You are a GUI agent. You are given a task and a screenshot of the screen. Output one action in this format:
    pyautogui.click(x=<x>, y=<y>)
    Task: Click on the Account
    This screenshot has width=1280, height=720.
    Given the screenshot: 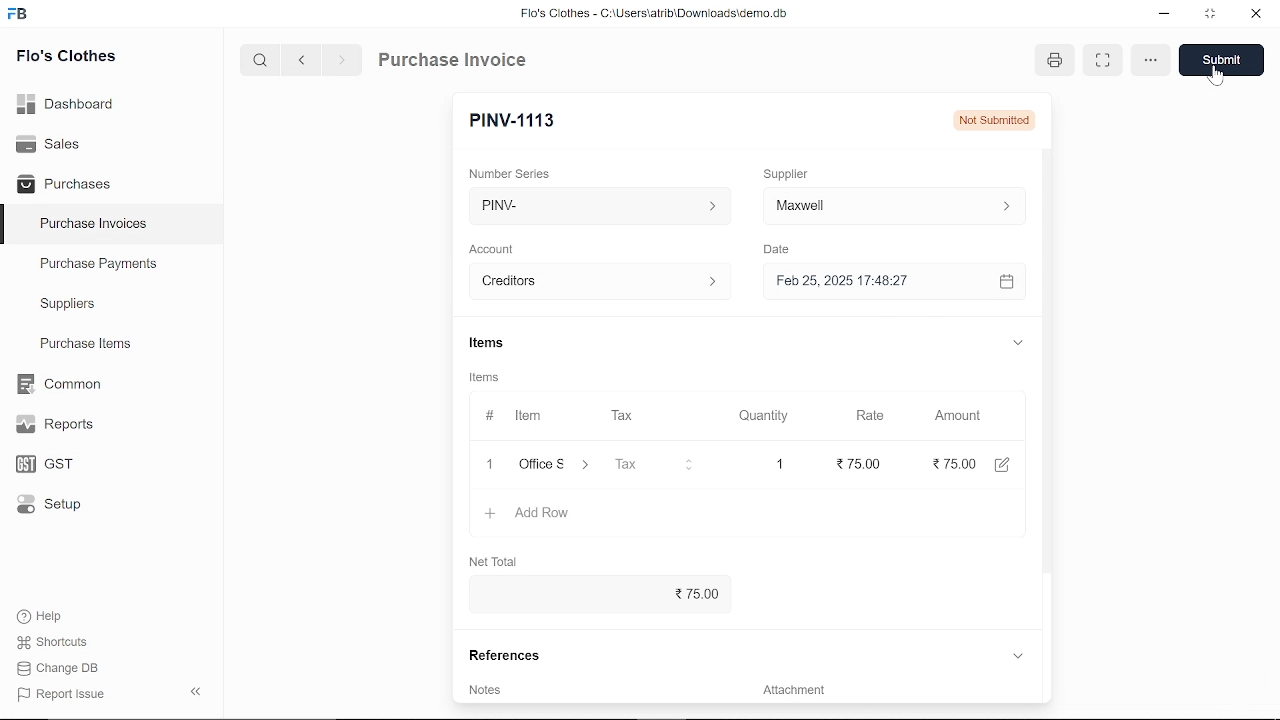 What is the action you would take?
    pyautogui.click(x=498, y=247)
    